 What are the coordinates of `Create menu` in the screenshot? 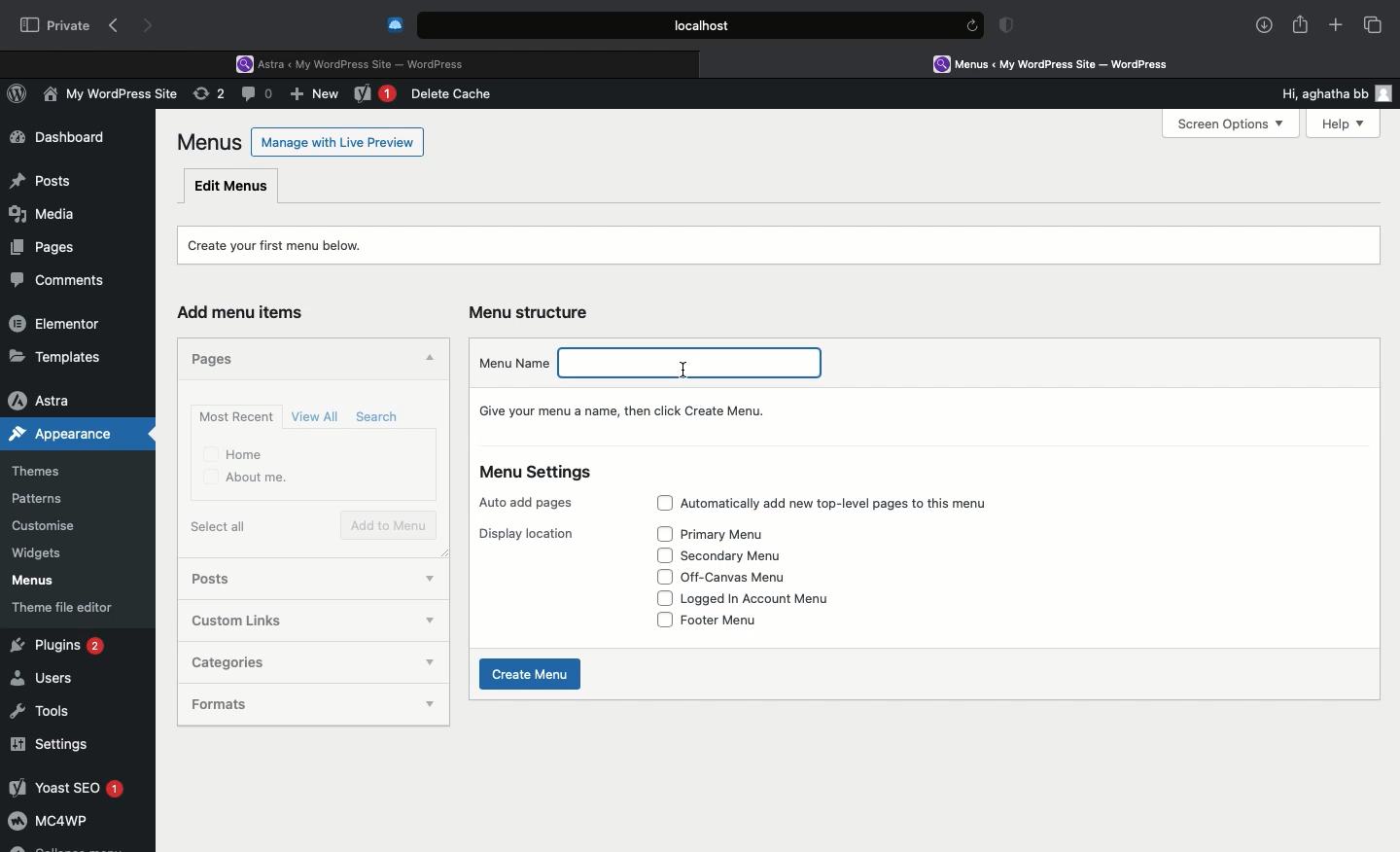 It's located at (533, 674).